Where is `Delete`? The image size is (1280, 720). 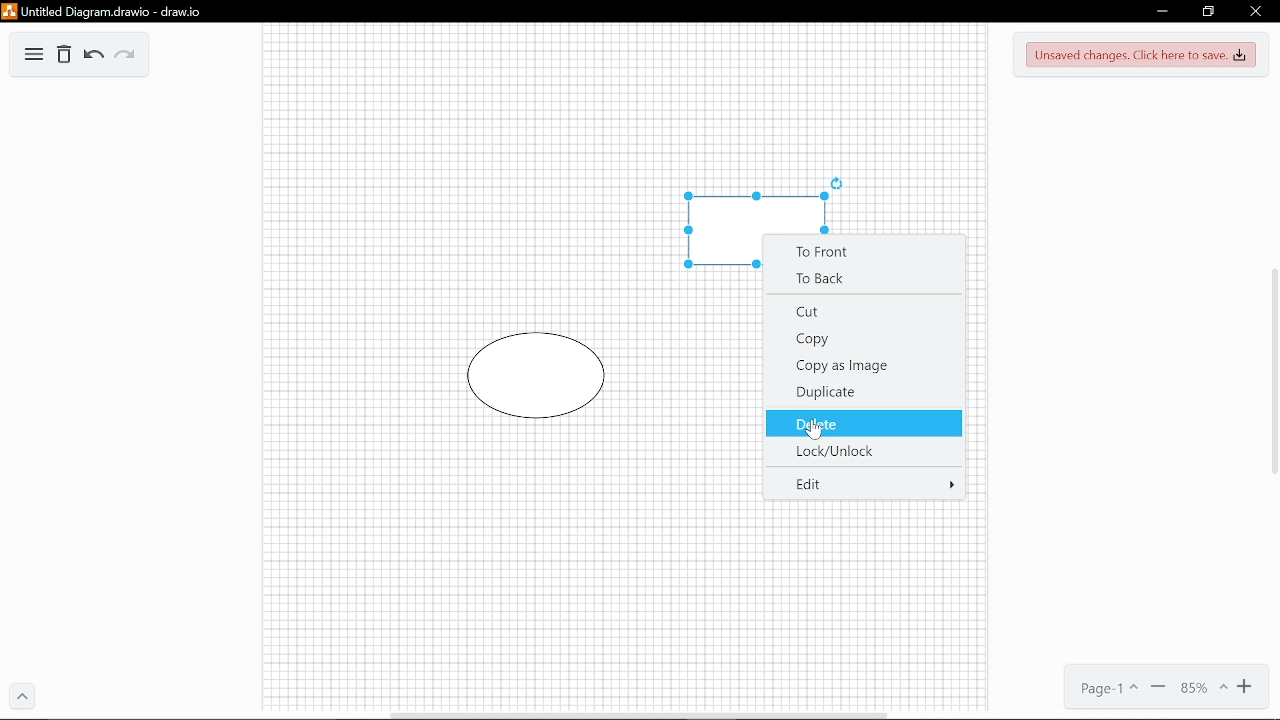 Delete is located at coordinates (863, 422).